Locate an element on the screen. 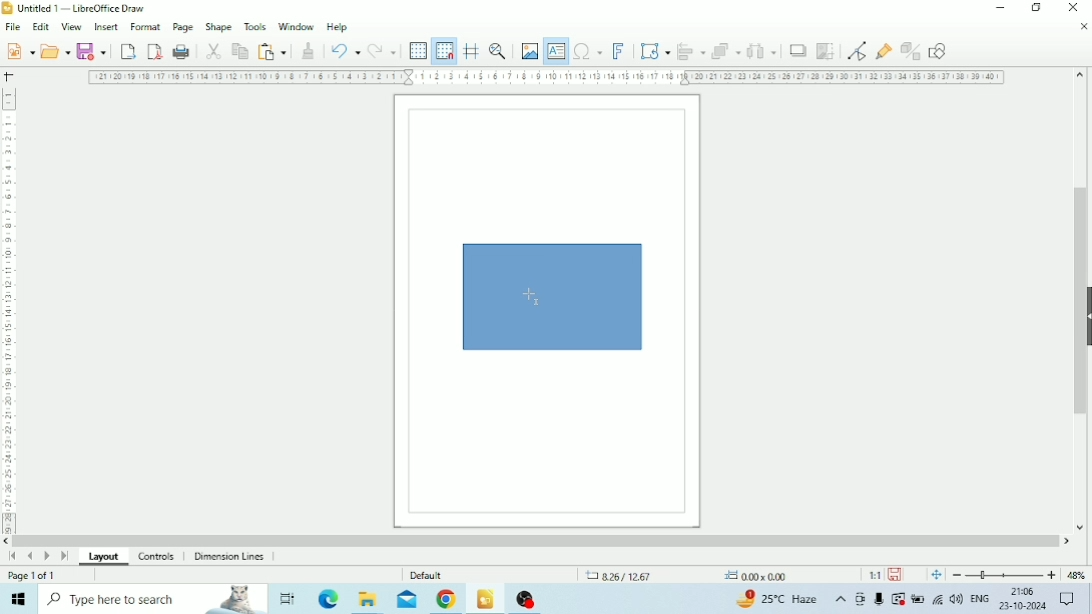  Redo is located at coordinates (381, 51).